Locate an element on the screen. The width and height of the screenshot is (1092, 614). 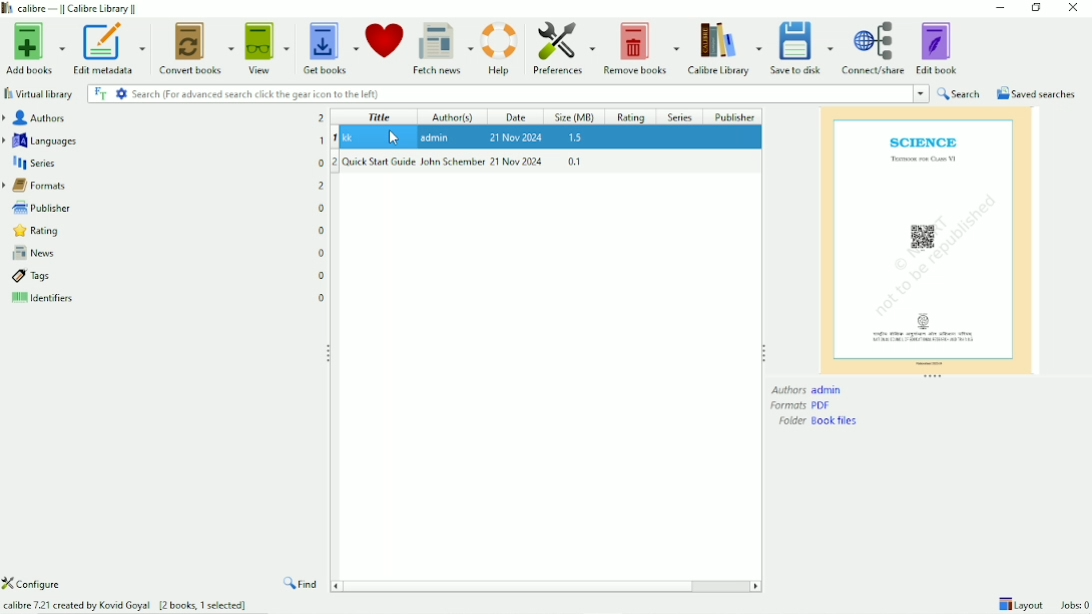
Date is located at coordinates (519, 117).